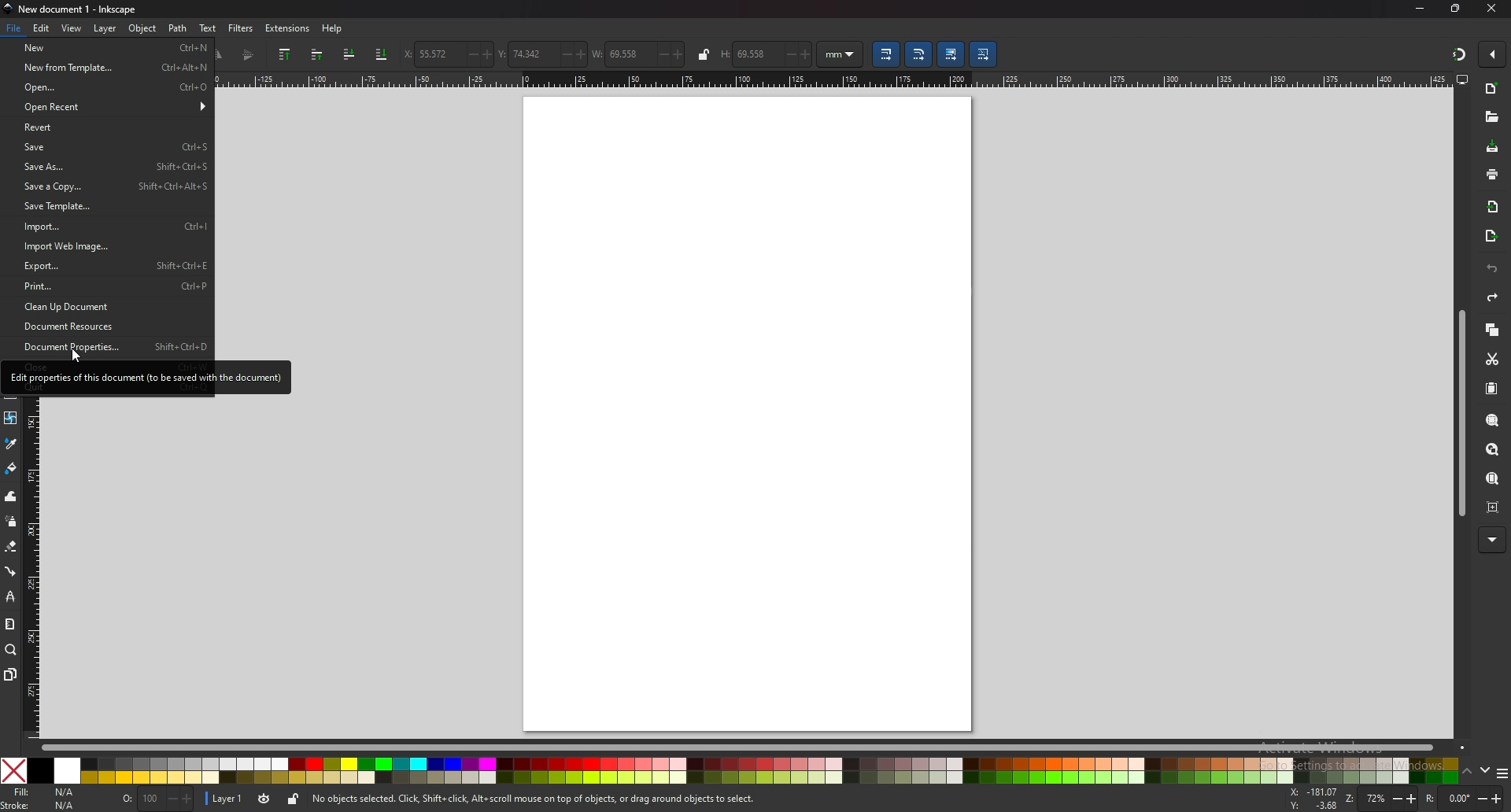 The height and width of the screenshot is (812, 1511). Describe the element at coordinates (885, 54) in the screenshot. I see `move gradient` at that location.